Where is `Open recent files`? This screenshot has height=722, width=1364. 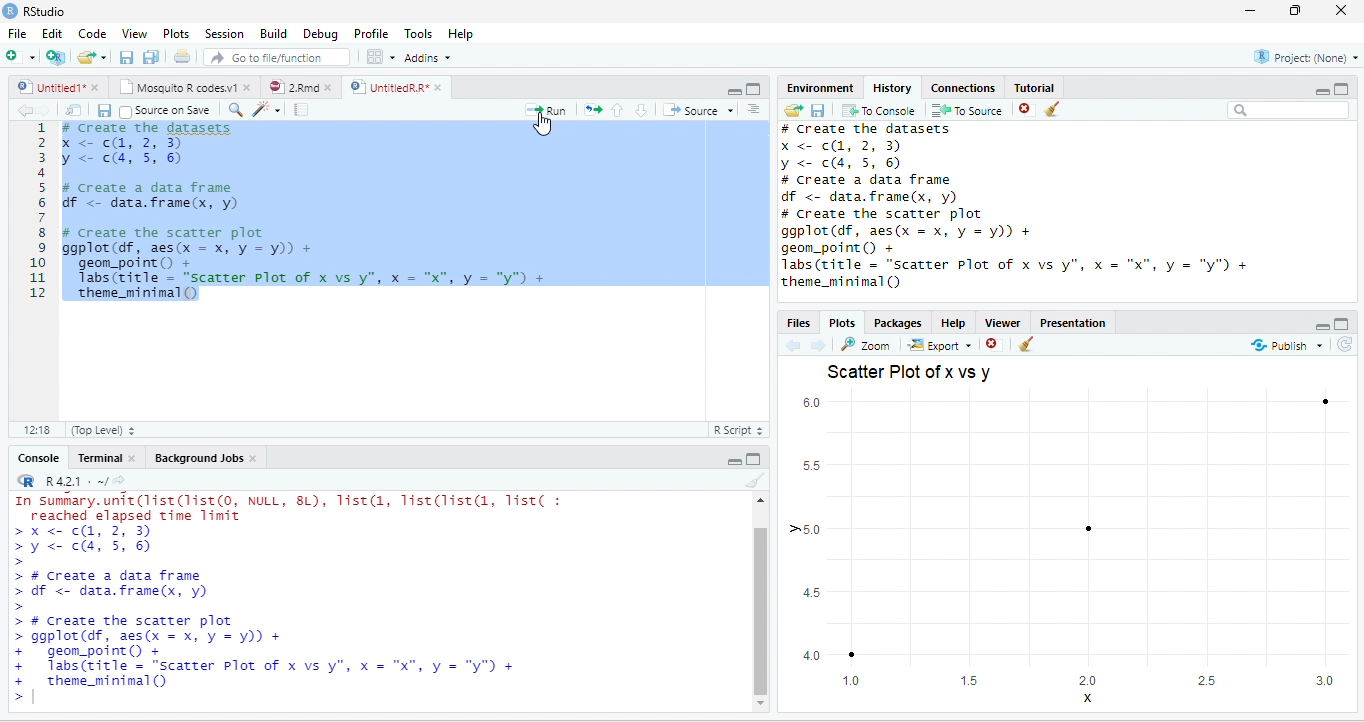
Open recent files is located at coordinates (103, 57).